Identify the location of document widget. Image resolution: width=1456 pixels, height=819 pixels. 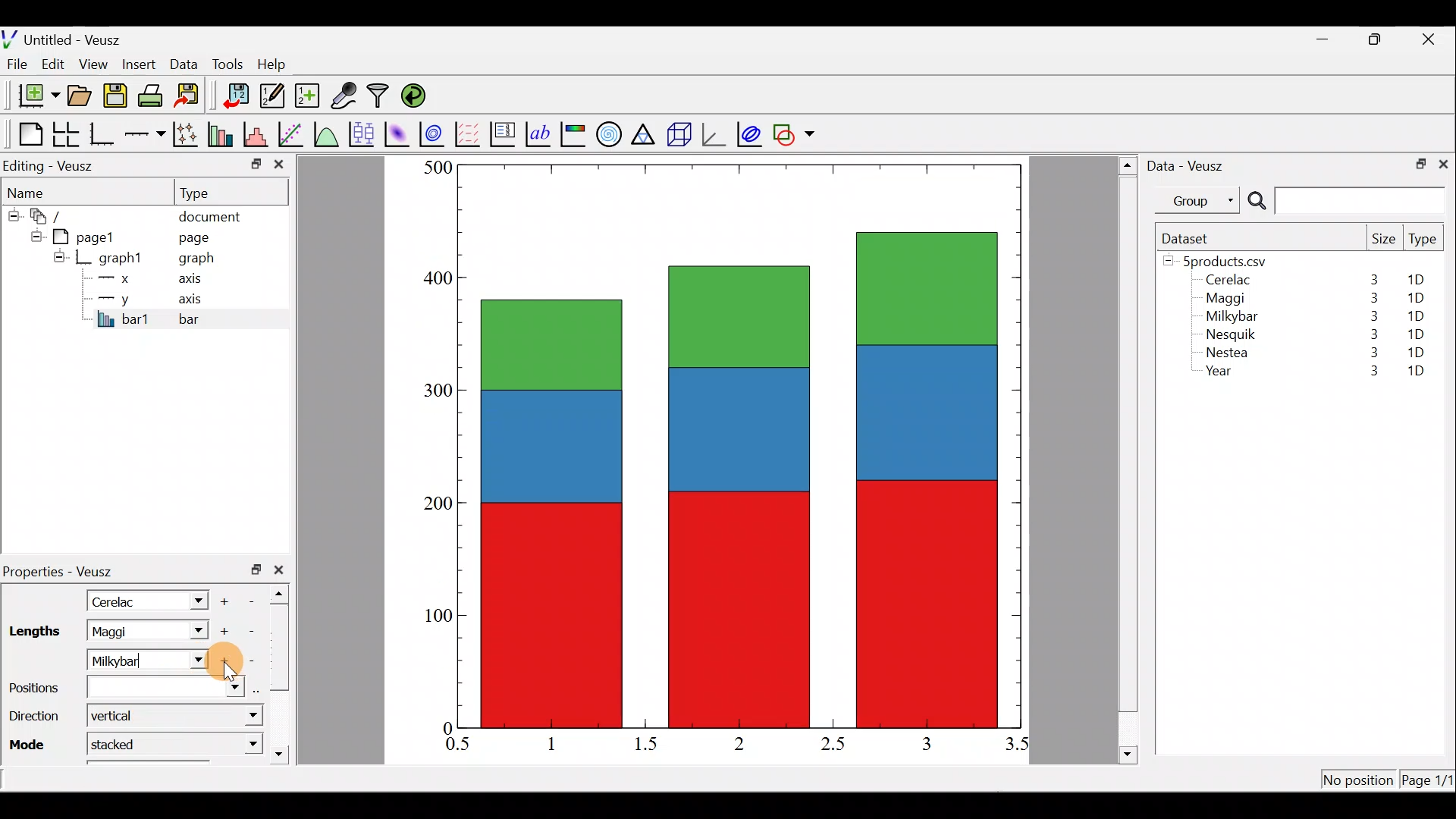
(54, 214).